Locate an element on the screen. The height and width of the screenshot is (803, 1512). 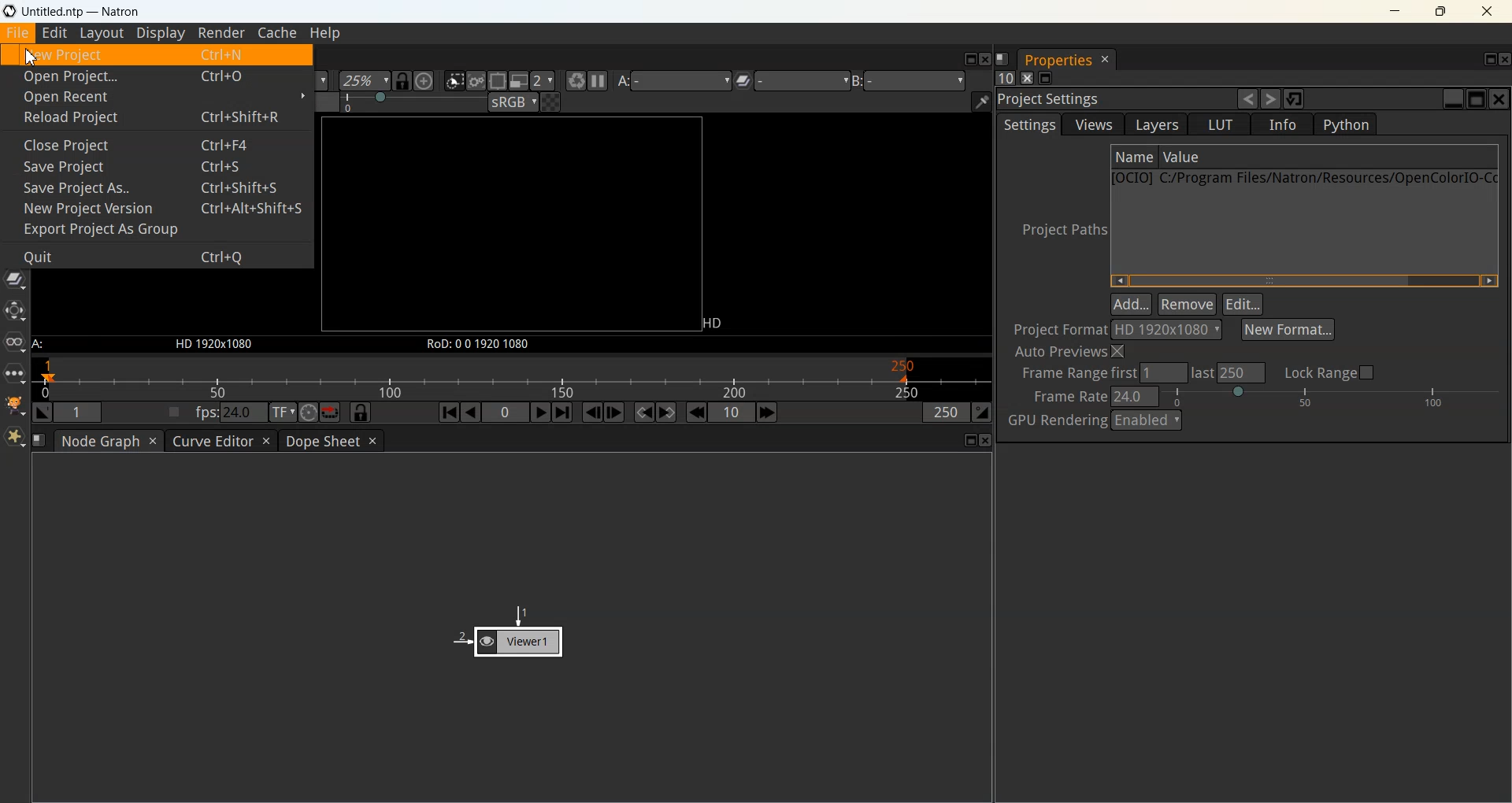
Play forward is located at coordinates (542, 413).